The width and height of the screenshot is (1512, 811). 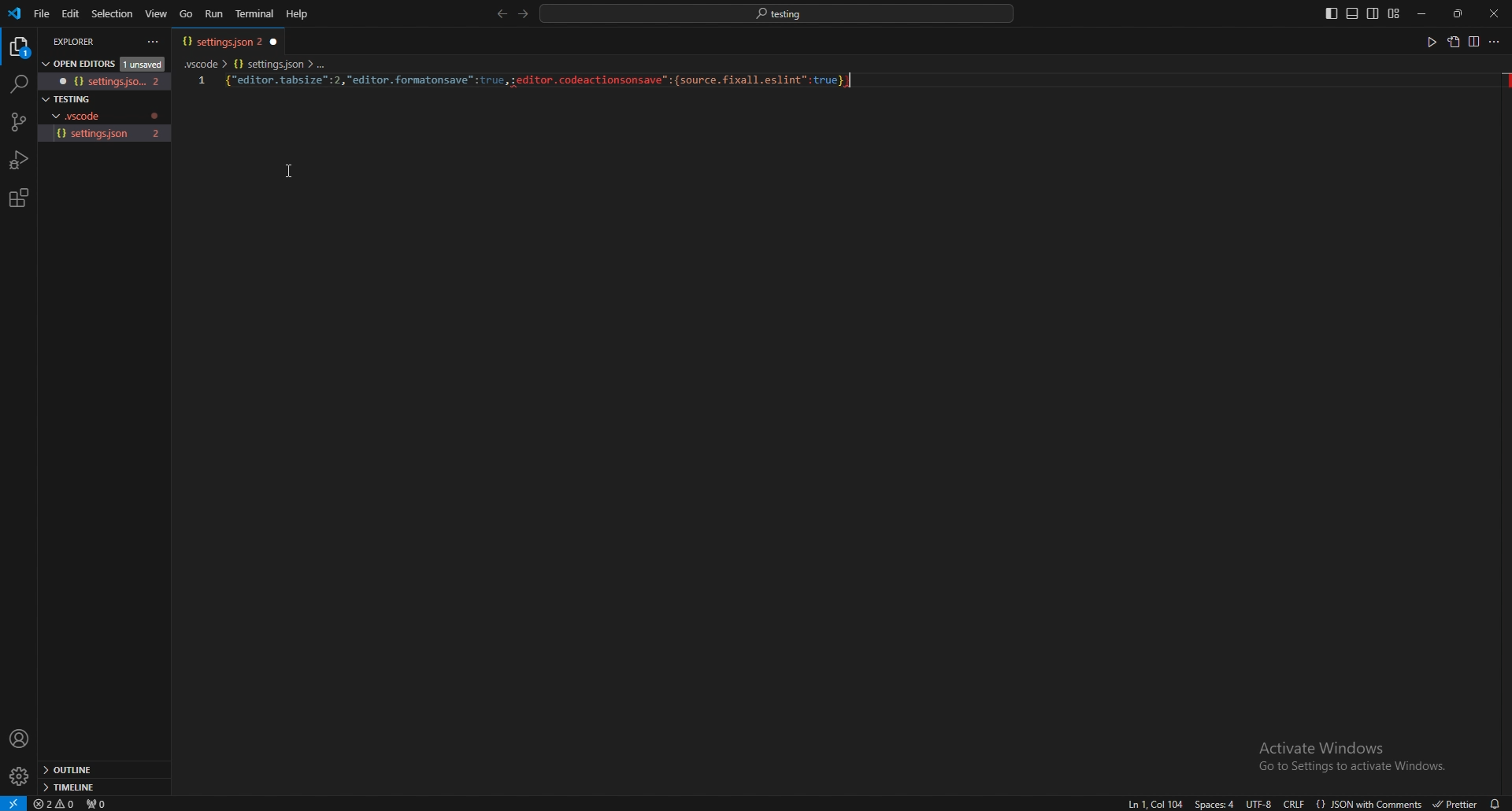 I want to click on split editor, so click(x=1473, y=43).